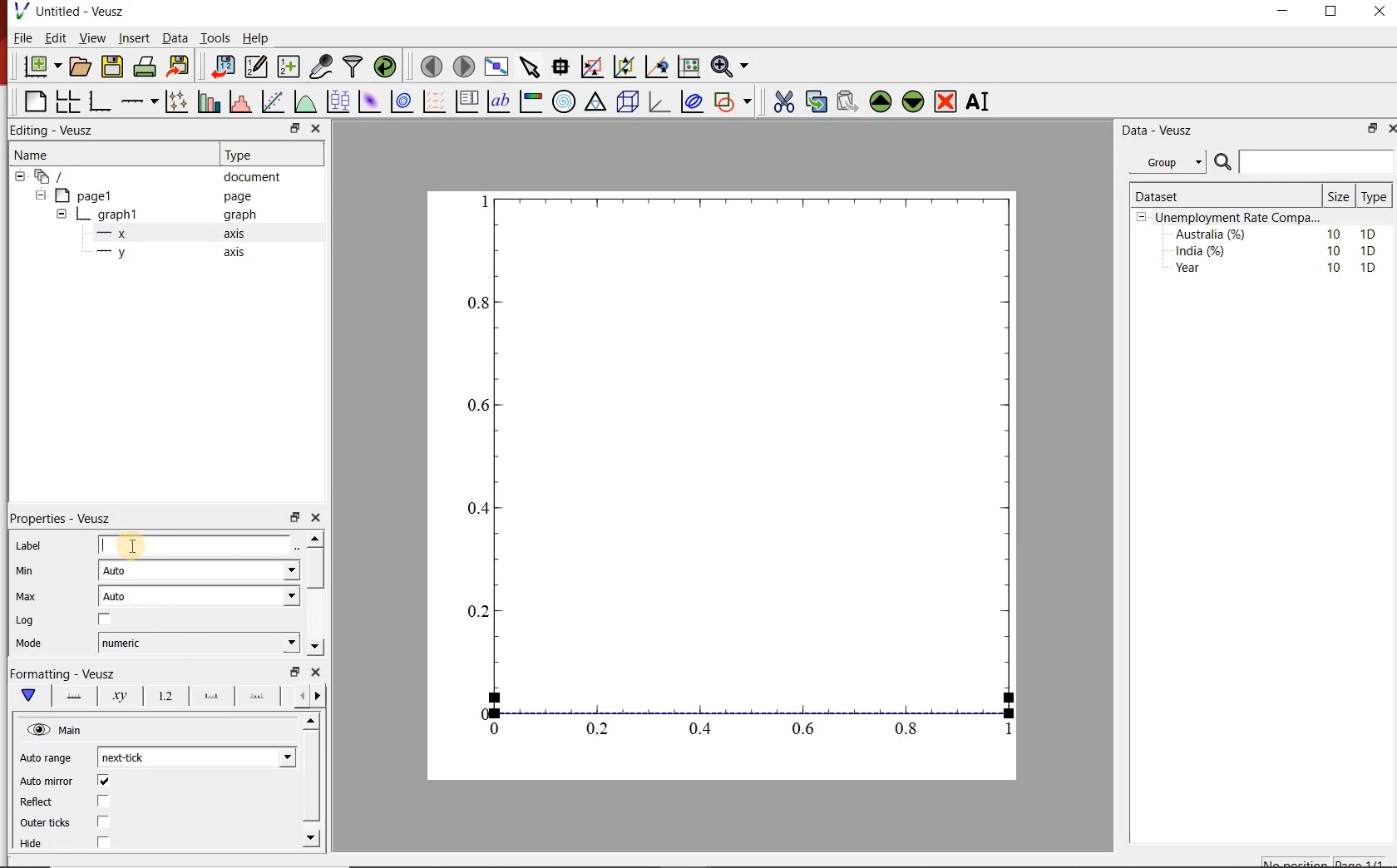 This screenshot has width=1397, height=868. What do you see at coordinates (195, 545) in the screenshot?
I see `label field` at bounding box center [195, 545].